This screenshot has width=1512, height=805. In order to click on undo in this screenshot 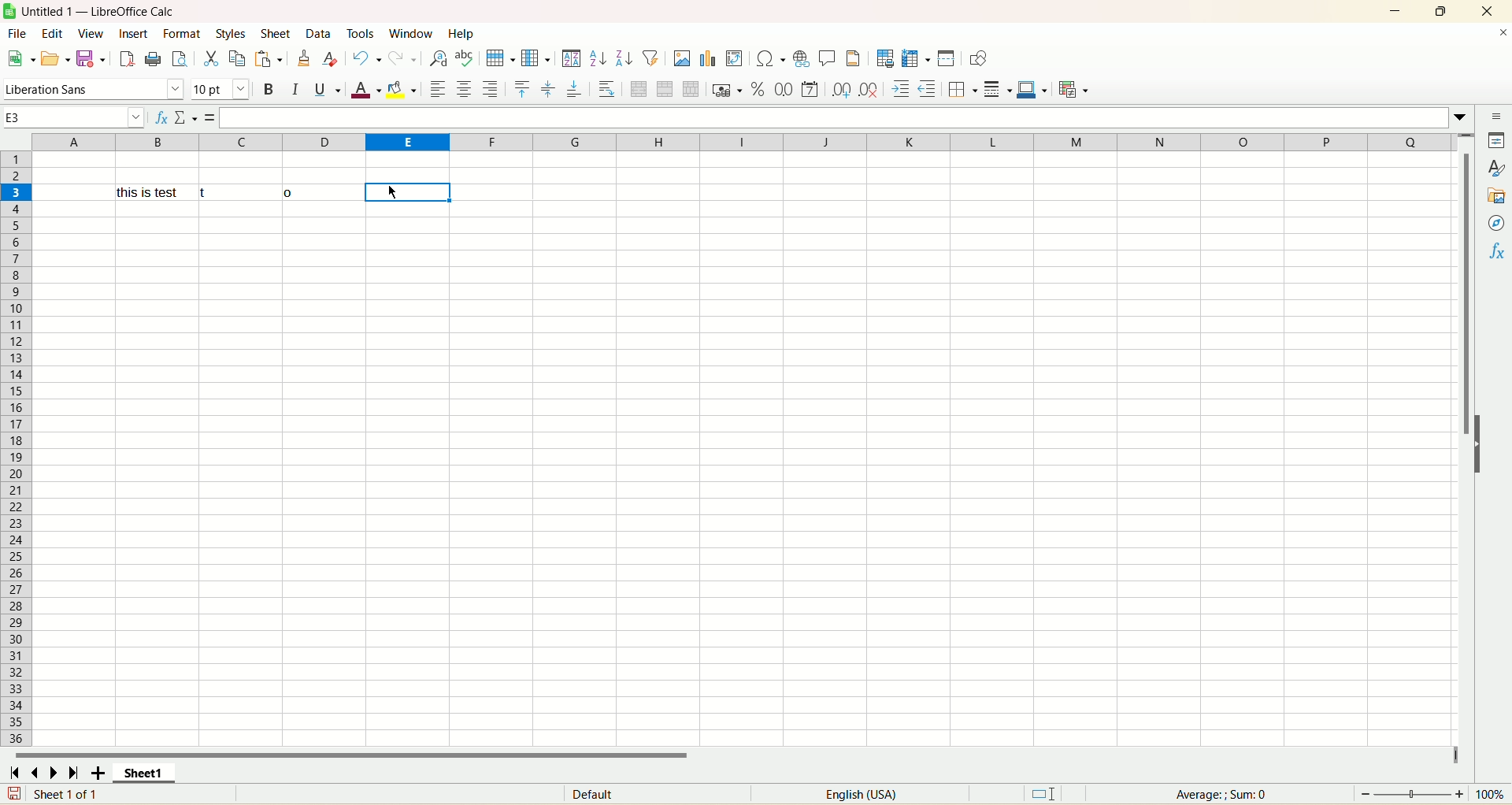, I will do `click(367, 58)`.